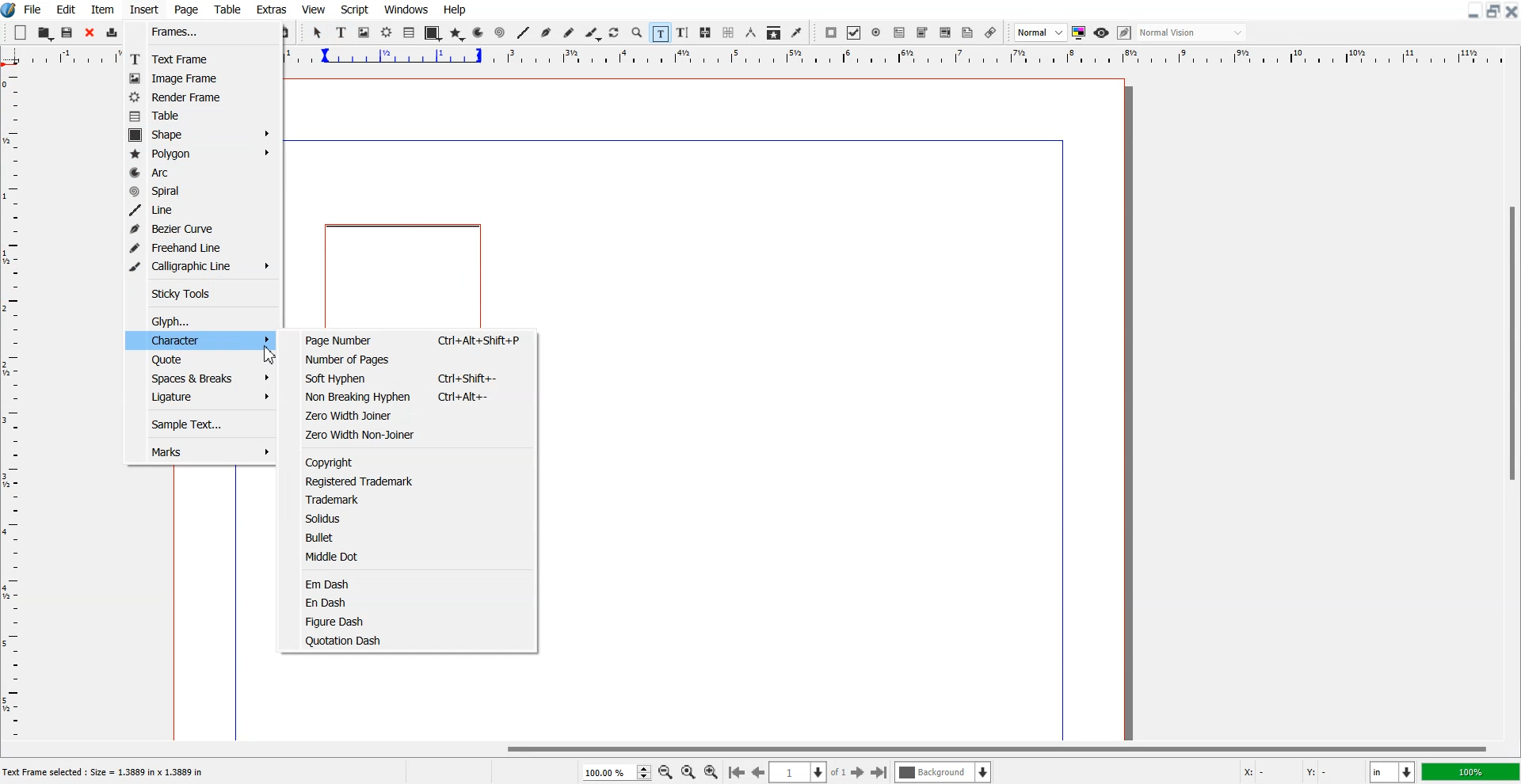  I want to click on Line, so click(523, 32).